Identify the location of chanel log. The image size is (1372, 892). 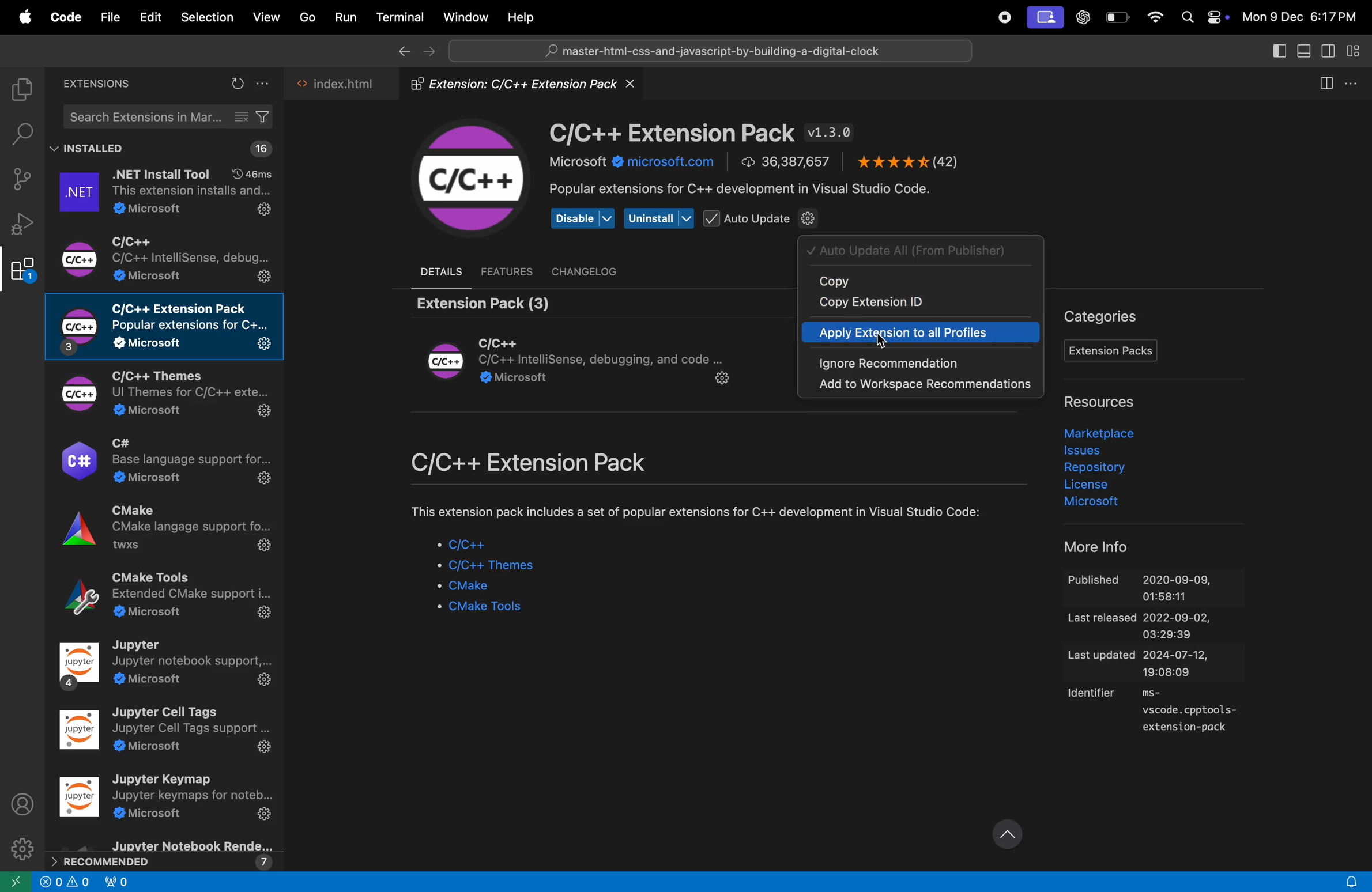
(594, 270).